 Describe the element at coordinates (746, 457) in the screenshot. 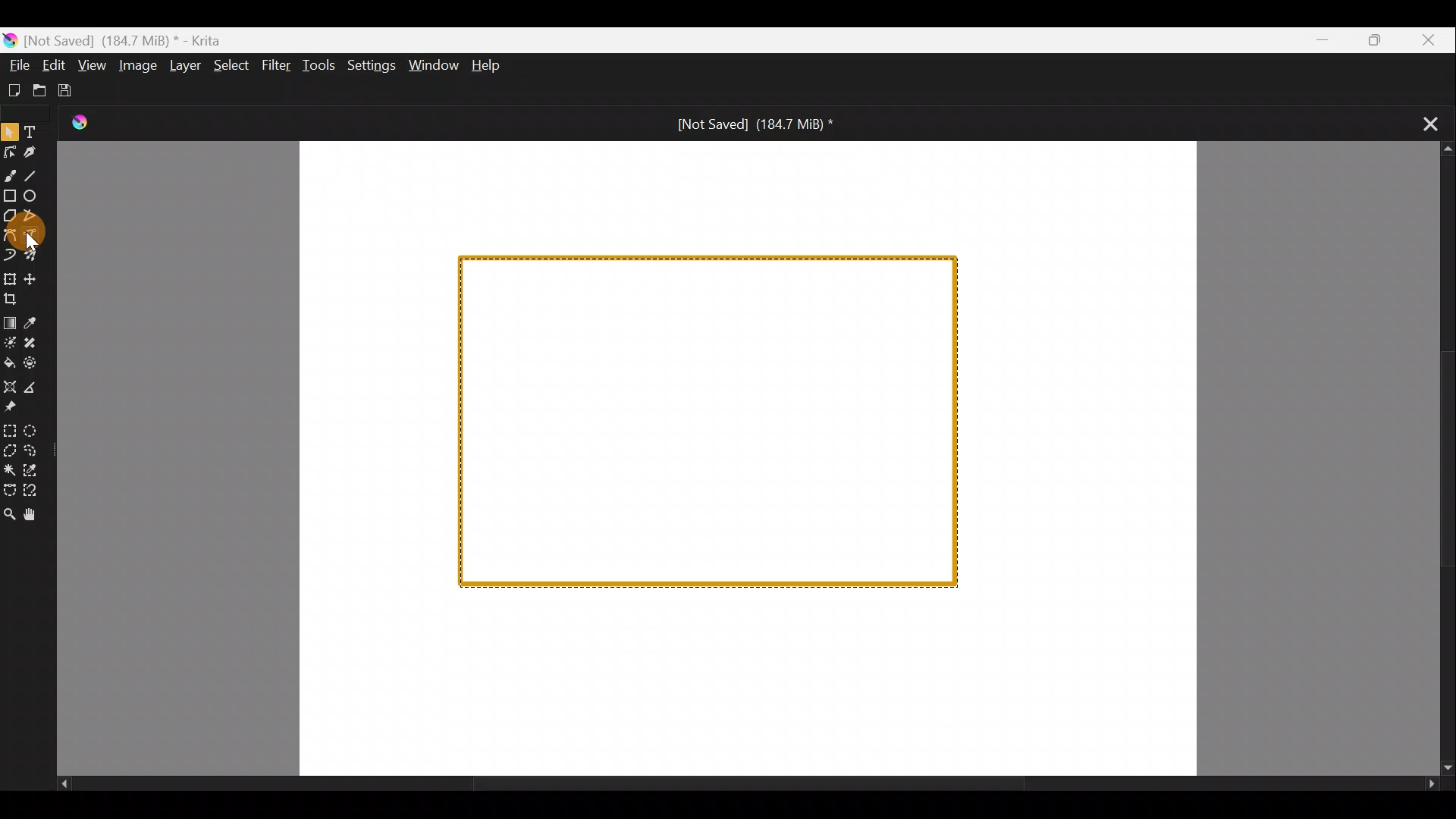

I see `Canvas` at that location.